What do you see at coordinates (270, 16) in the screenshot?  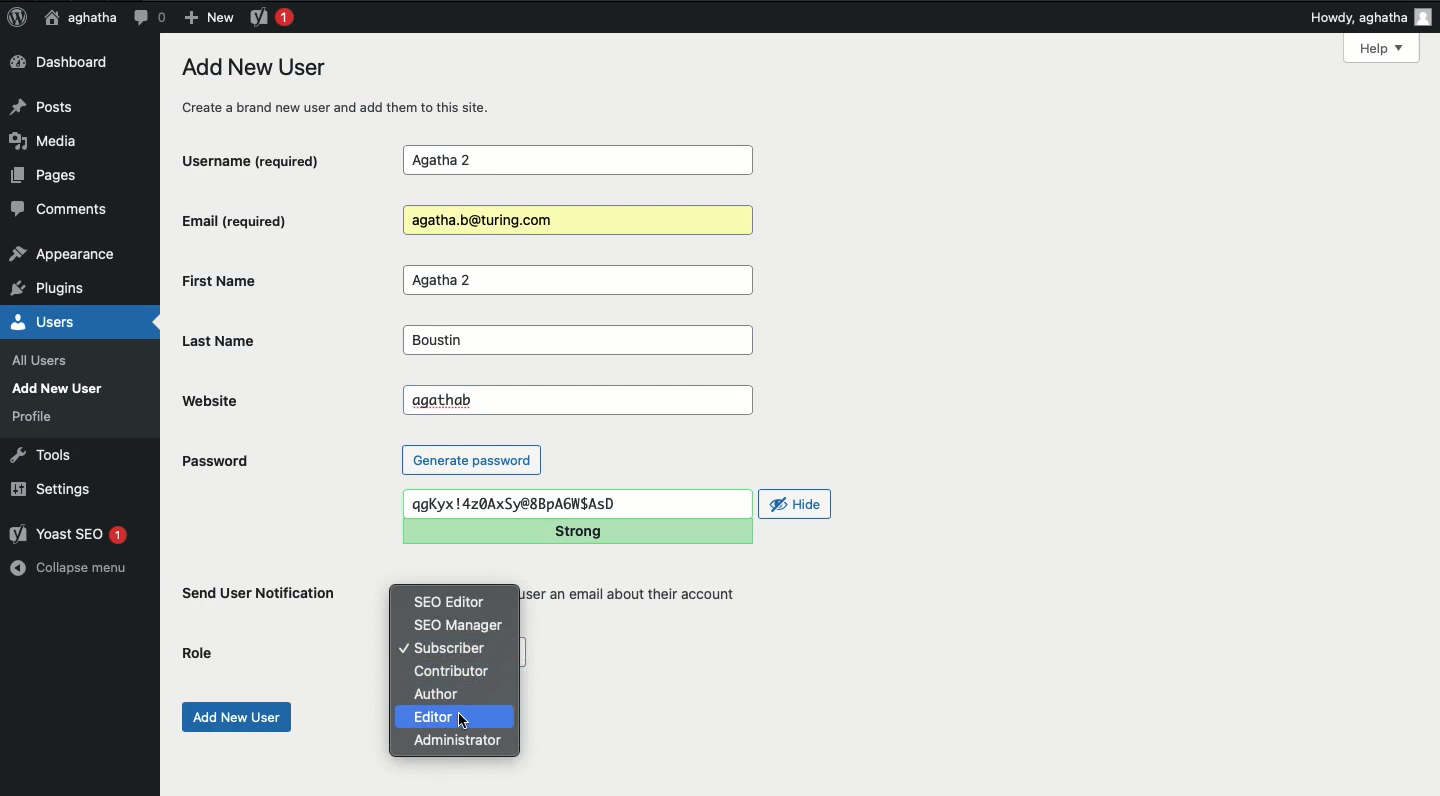 I see `Yoast` at bounding box center [270, 16].